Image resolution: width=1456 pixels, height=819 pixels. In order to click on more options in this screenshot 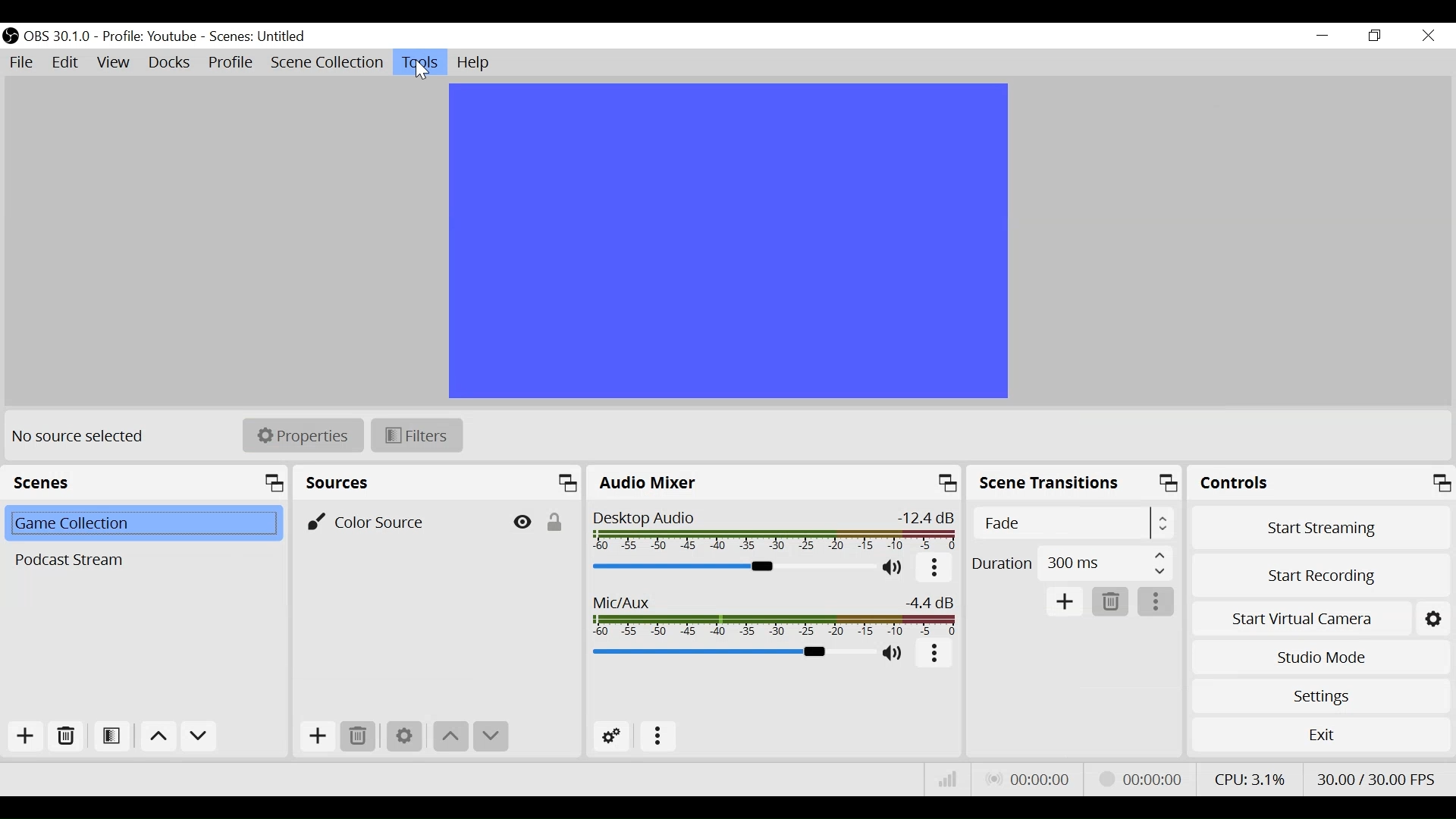, I will do `click(1156, 602)`.